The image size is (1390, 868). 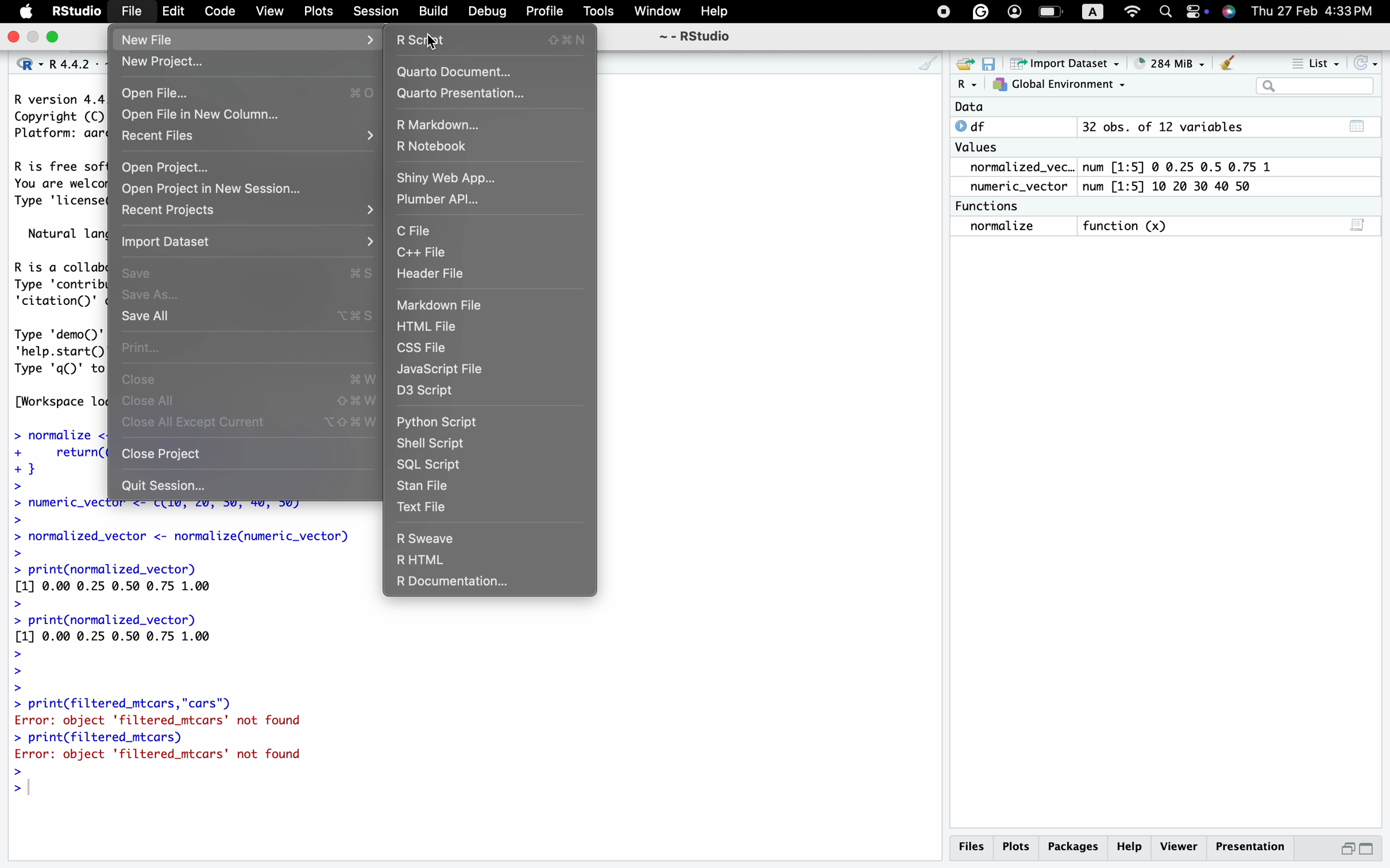 I want to click on num [1:5] © 0.25 0.5 0.75 1, so click(x=1185, y=165).